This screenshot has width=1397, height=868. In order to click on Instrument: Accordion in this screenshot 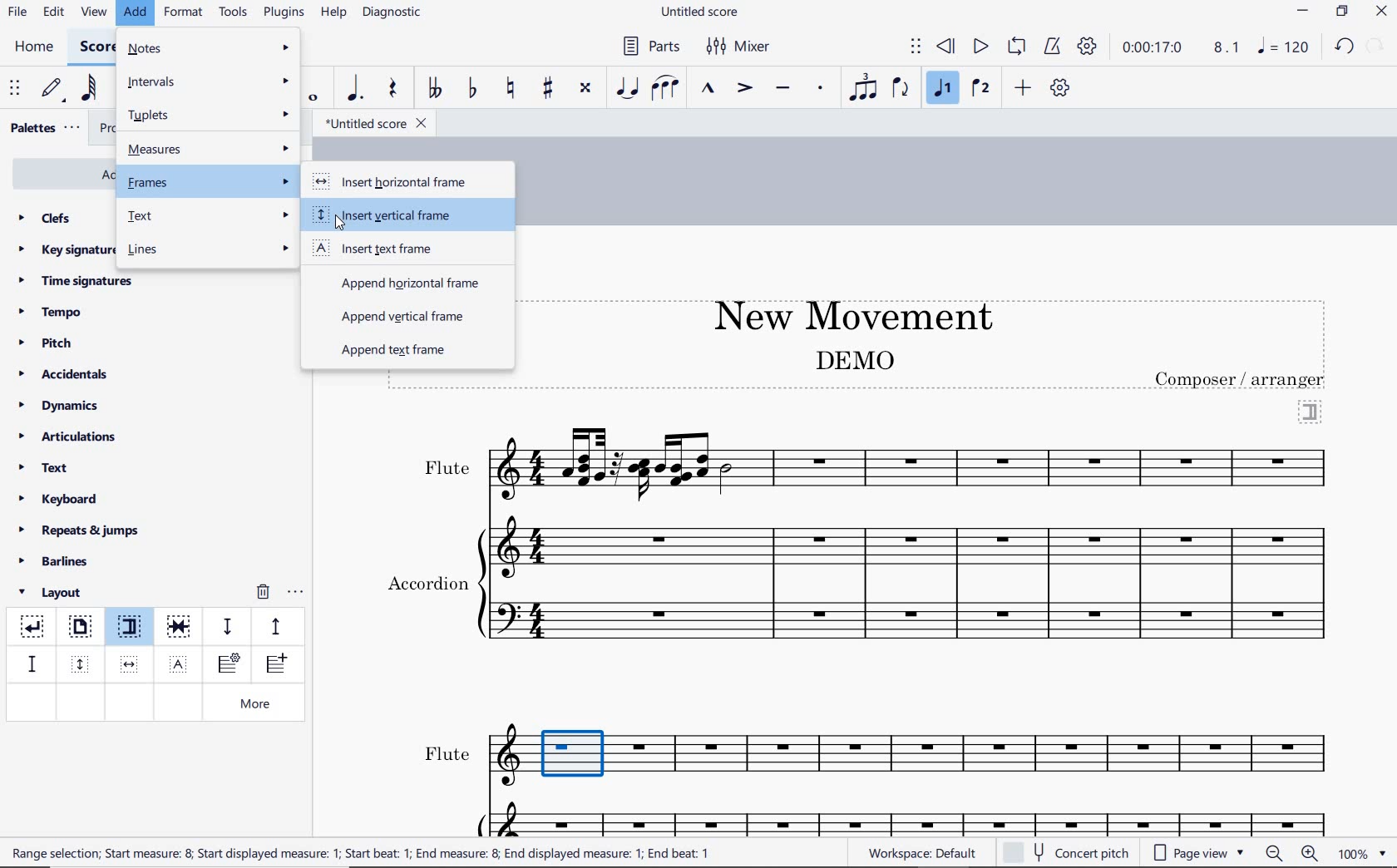, I will do `click(912, 584)`.